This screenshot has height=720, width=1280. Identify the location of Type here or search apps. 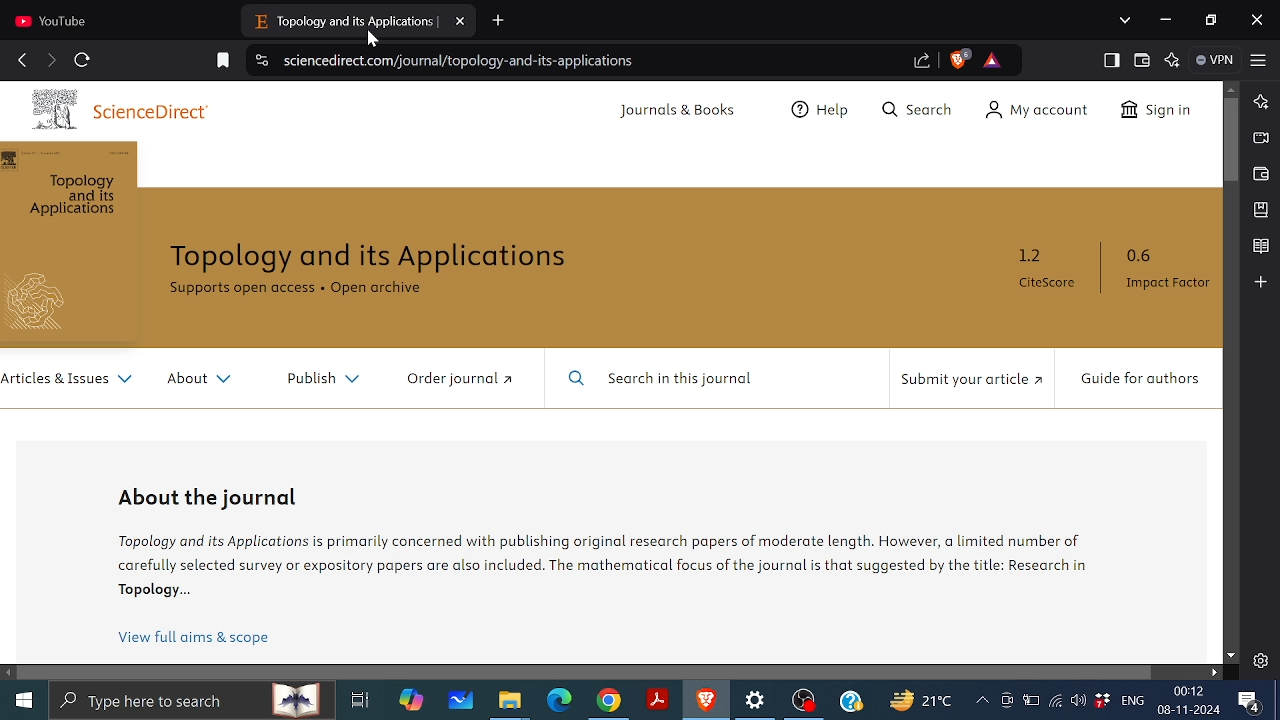
(190, 699).